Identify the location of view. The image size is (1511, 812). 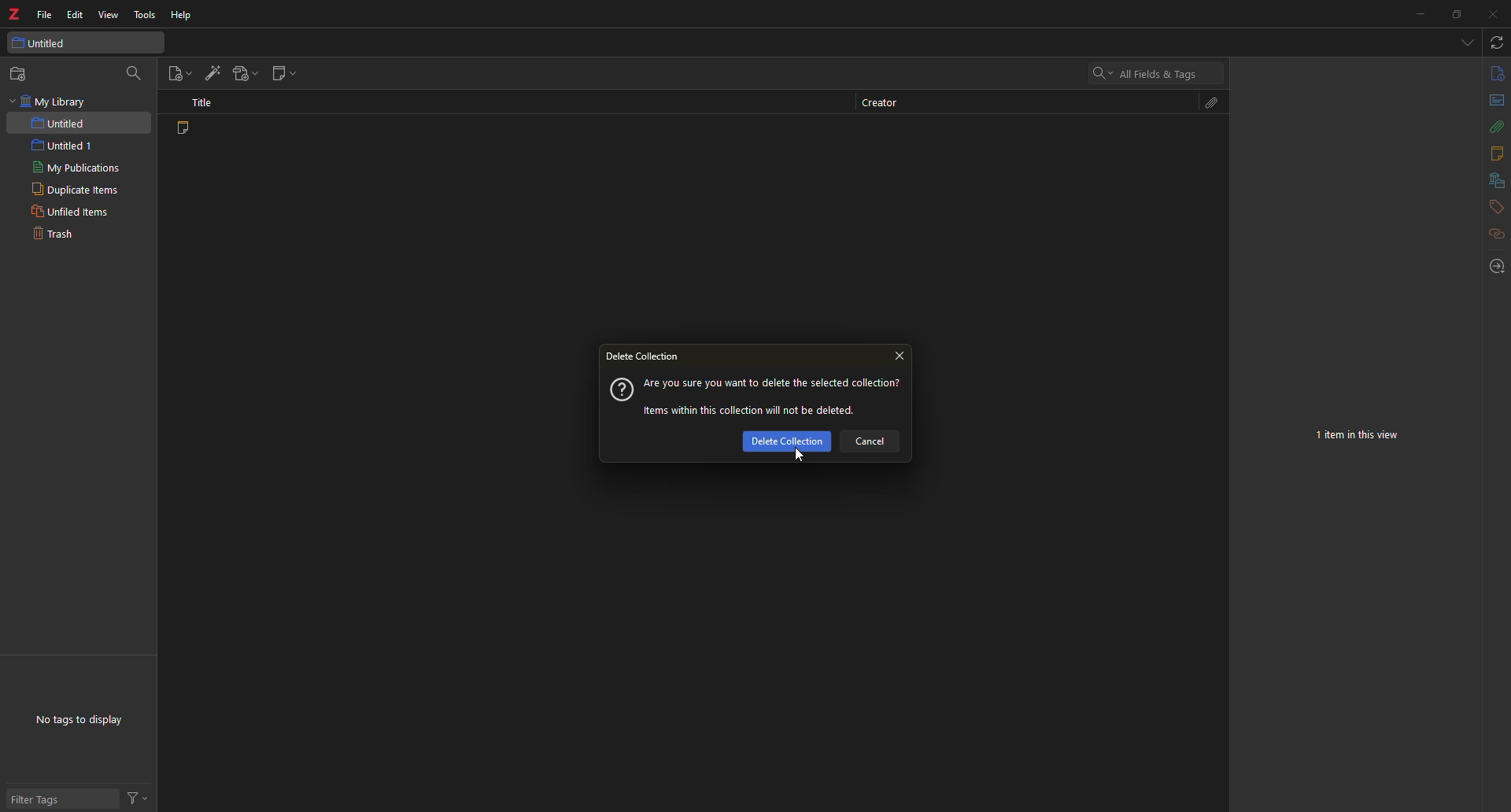
(109, 15).